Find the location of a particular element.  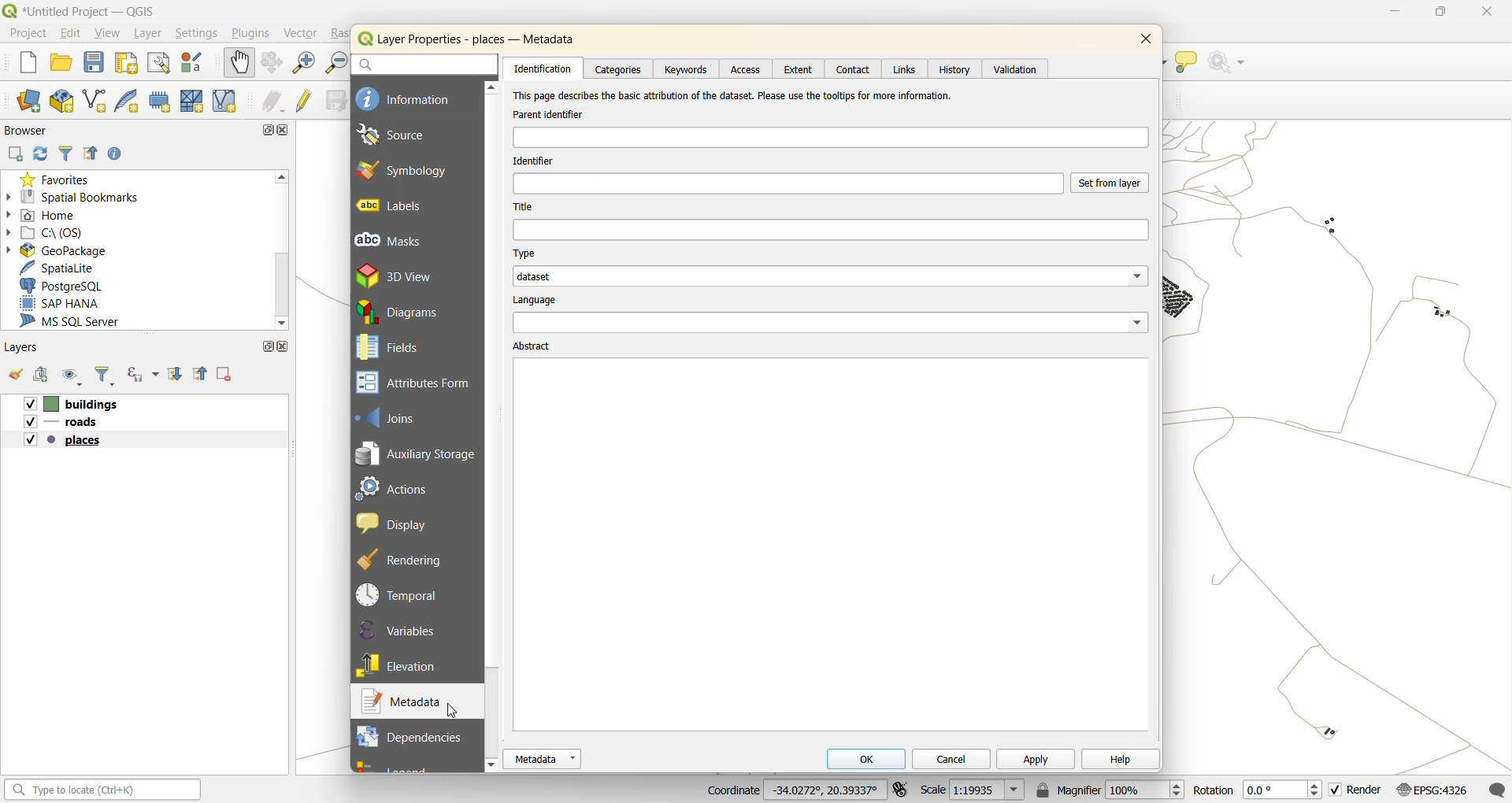

show layout is located at coordinates (161, 64).